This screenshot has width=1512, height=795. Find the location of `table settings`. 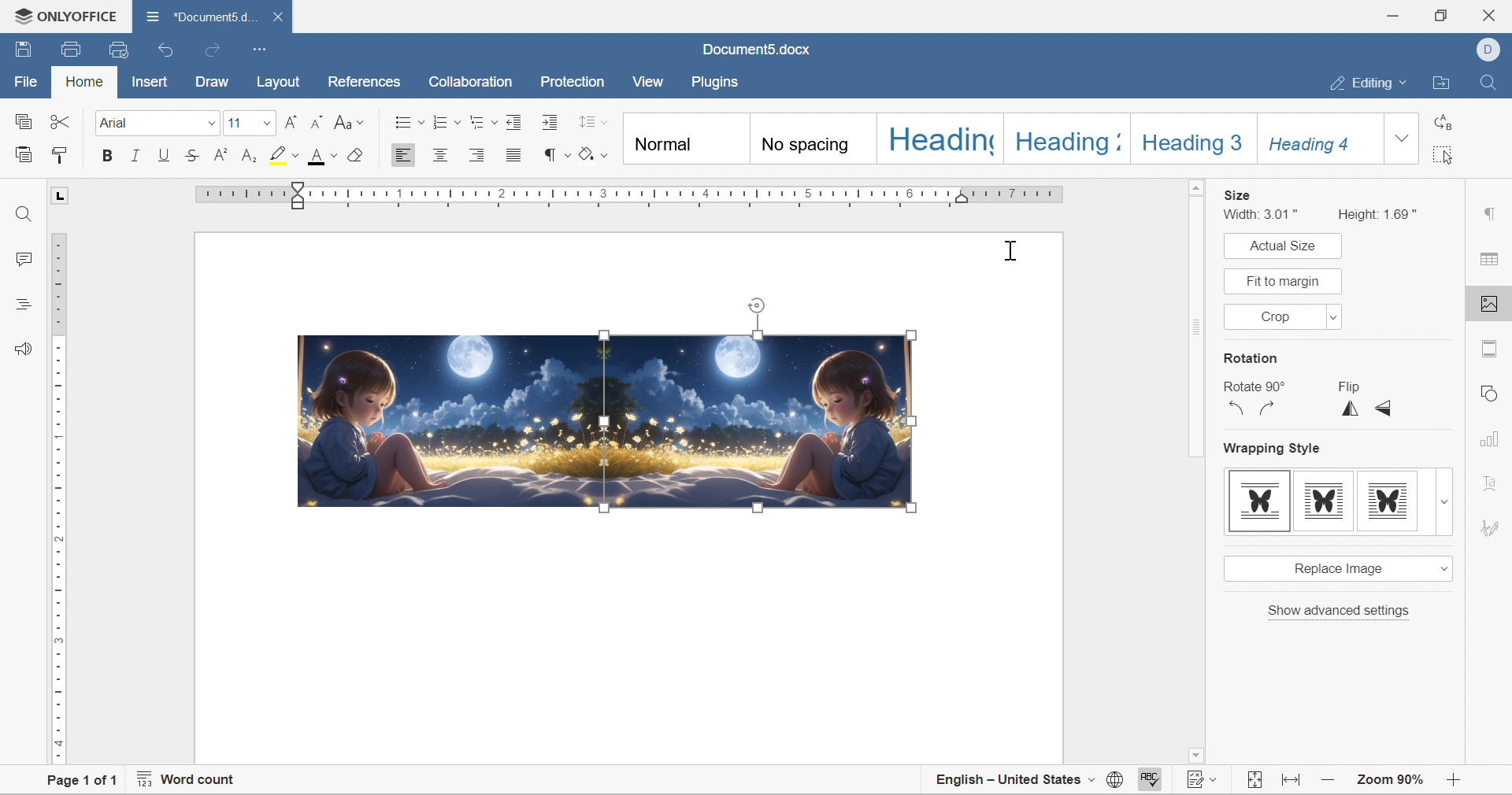

table settings is located at coordinates (1492, 260).